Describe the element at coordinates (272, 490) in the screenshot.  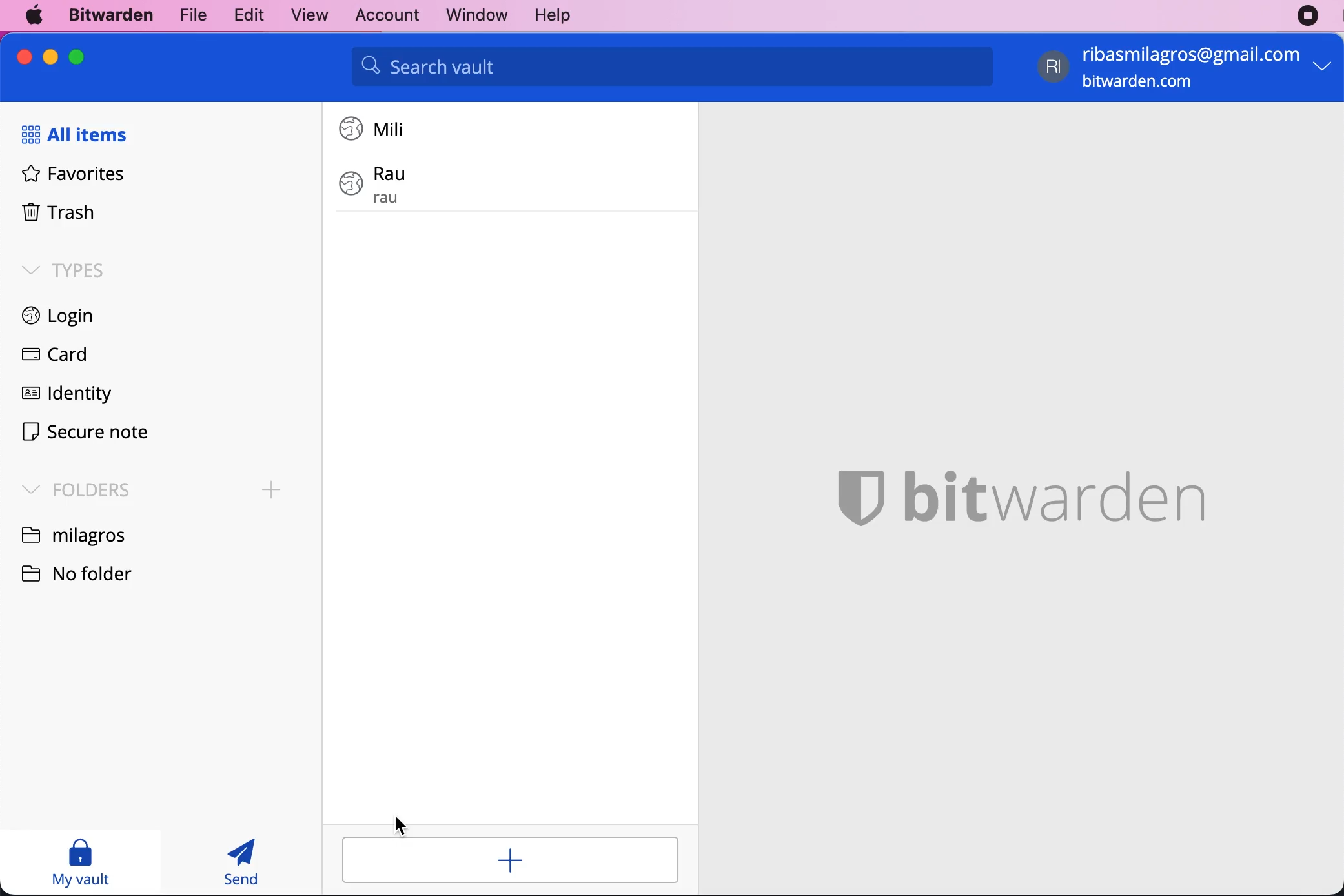
I see `Add folder` at that location.